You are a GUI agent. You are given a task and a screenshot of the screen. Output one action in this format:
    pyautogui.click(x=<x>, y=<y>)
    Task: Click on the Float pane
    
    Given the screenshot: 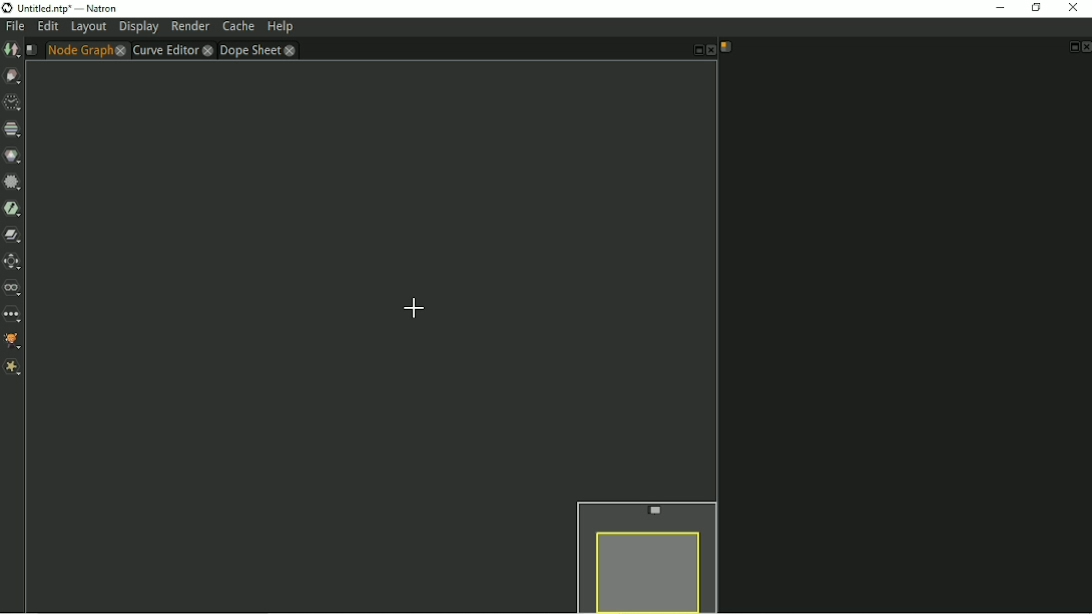 What is the action you would take?
    pyautogui.click(x=1072, y=47)
    